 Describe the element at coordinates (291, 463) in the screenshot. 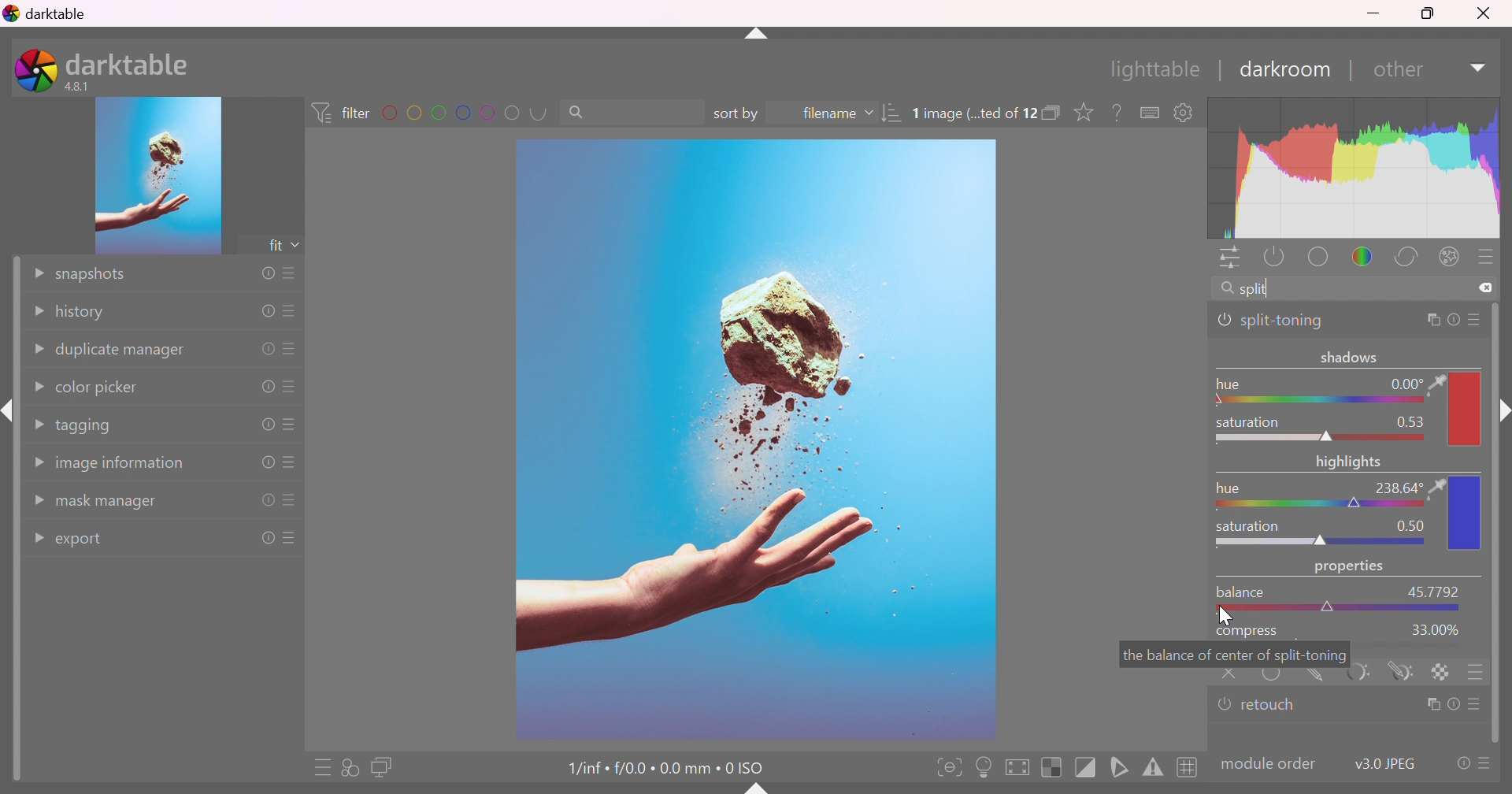

I see `presets` at that location.